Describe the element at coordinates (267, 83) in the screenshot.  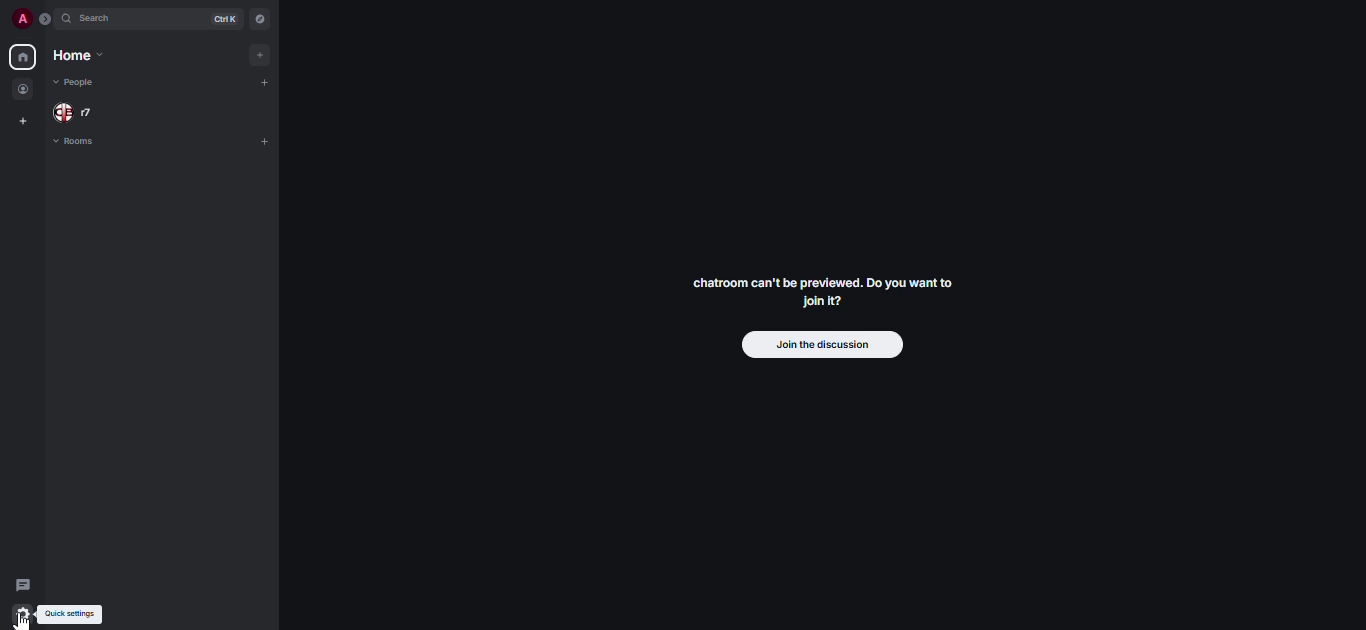
I see `add` at that location.